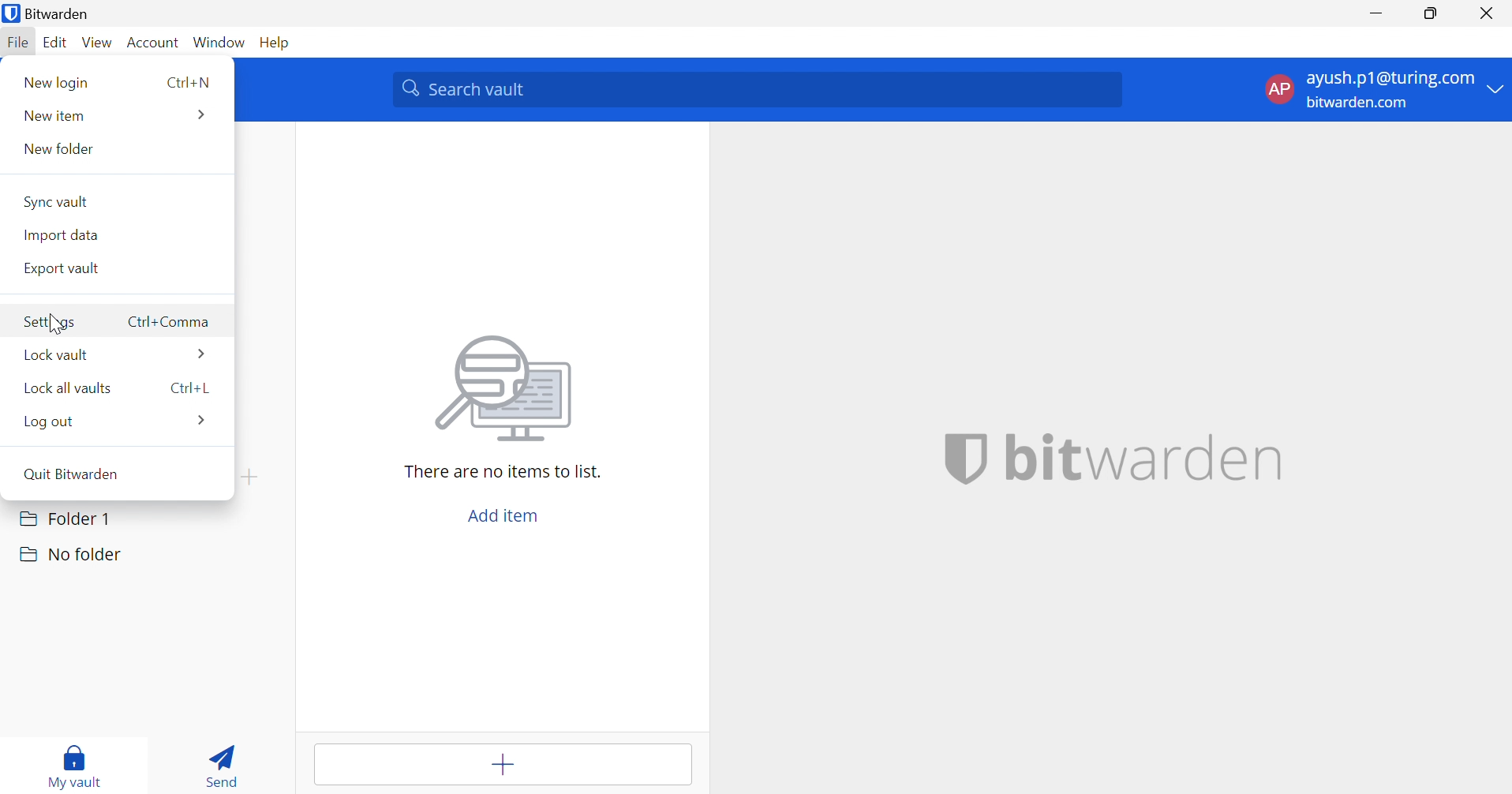 Image resolution: width=1512 pixels, height=794 pixels. What do you see at coordinates (58, 325) in the screenshot?
I see `cursor` at bounding box center [58, 325].